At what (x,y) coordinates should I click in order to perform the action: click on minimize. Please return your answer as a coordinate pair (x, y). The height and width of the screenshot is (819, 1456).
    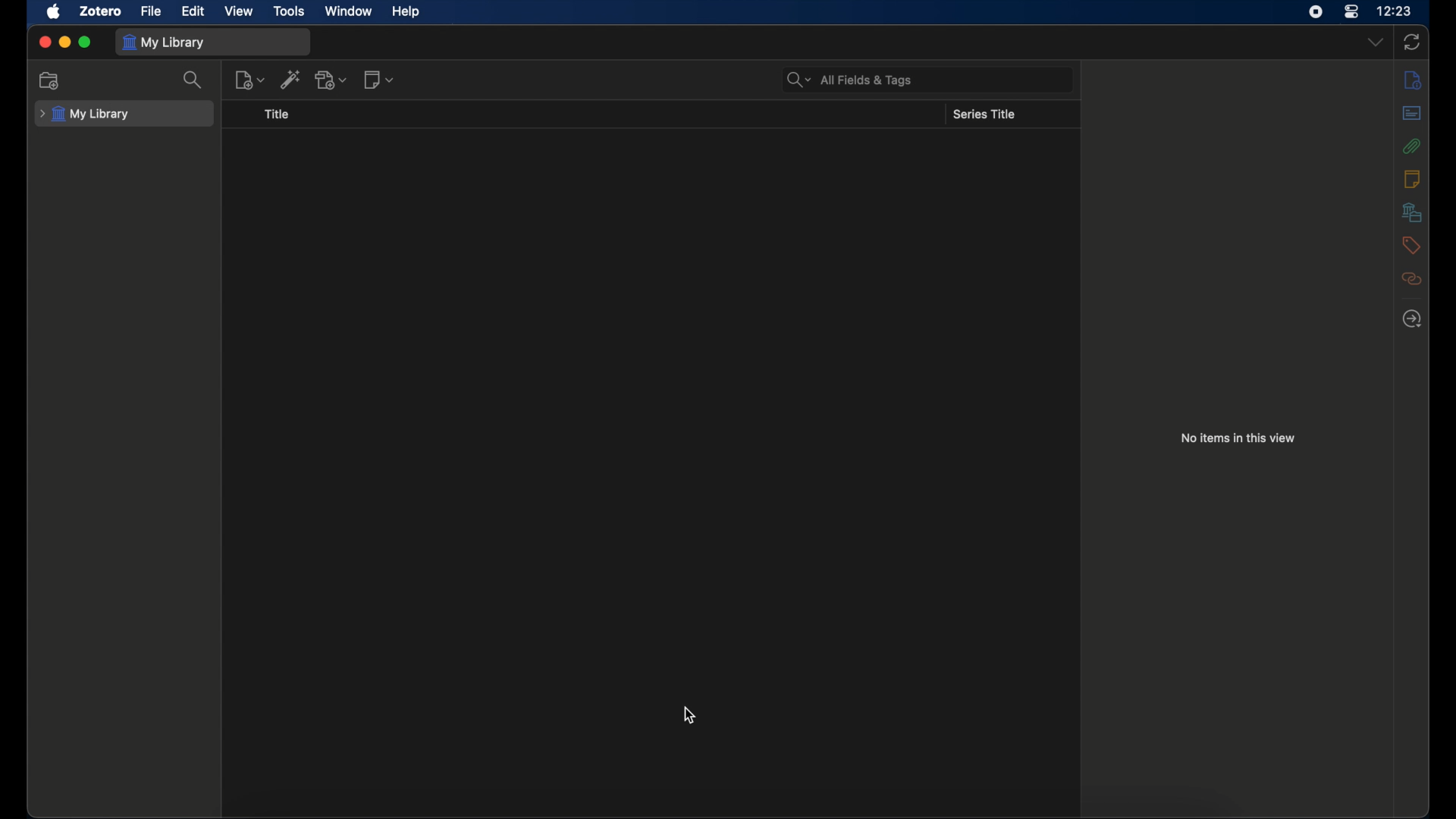
    Looking at the image, I should click on (65, 42).